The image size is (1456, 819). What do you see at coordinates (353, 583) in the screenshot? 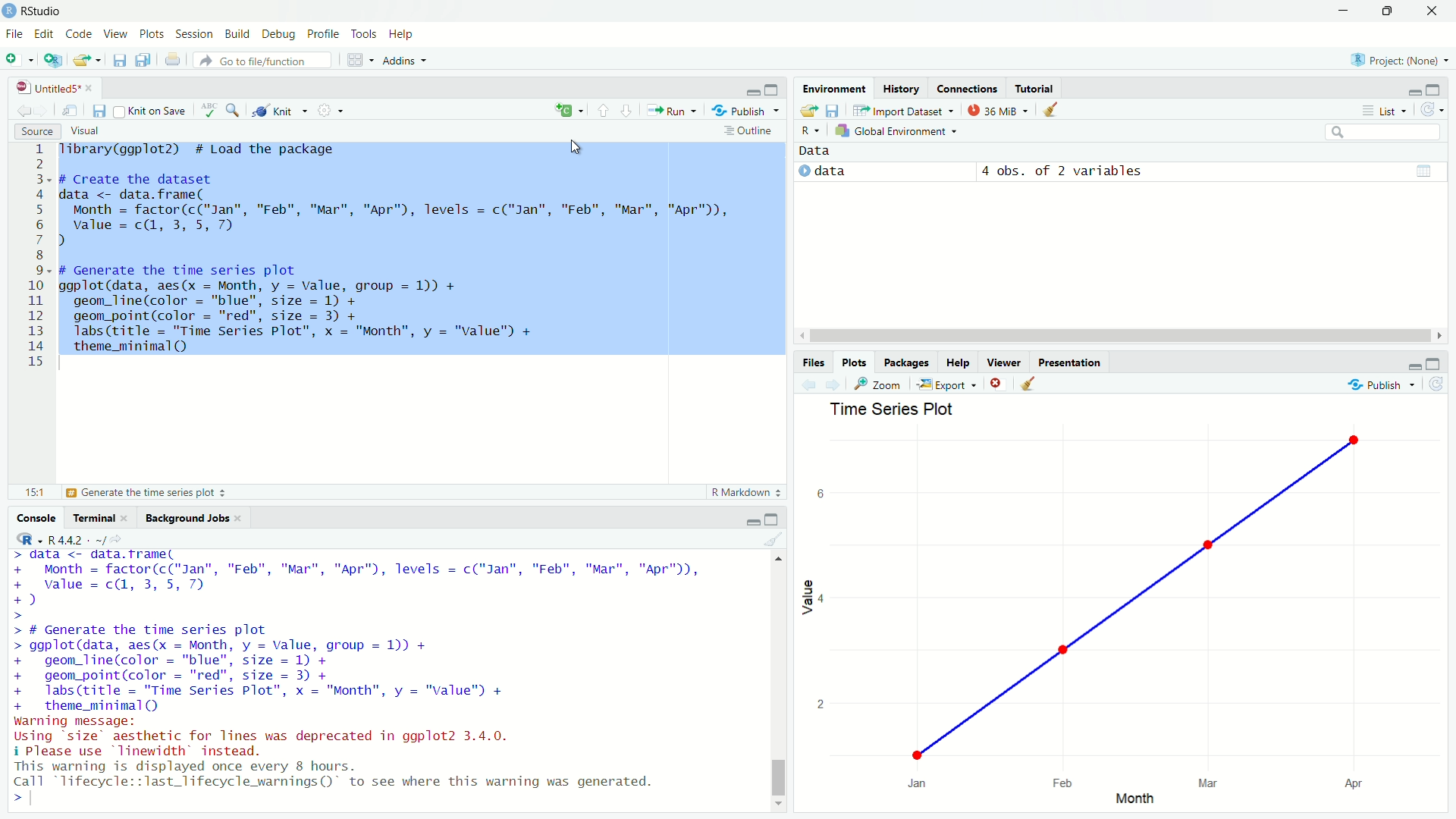
I see `month data` at bounding box center [353, 583].